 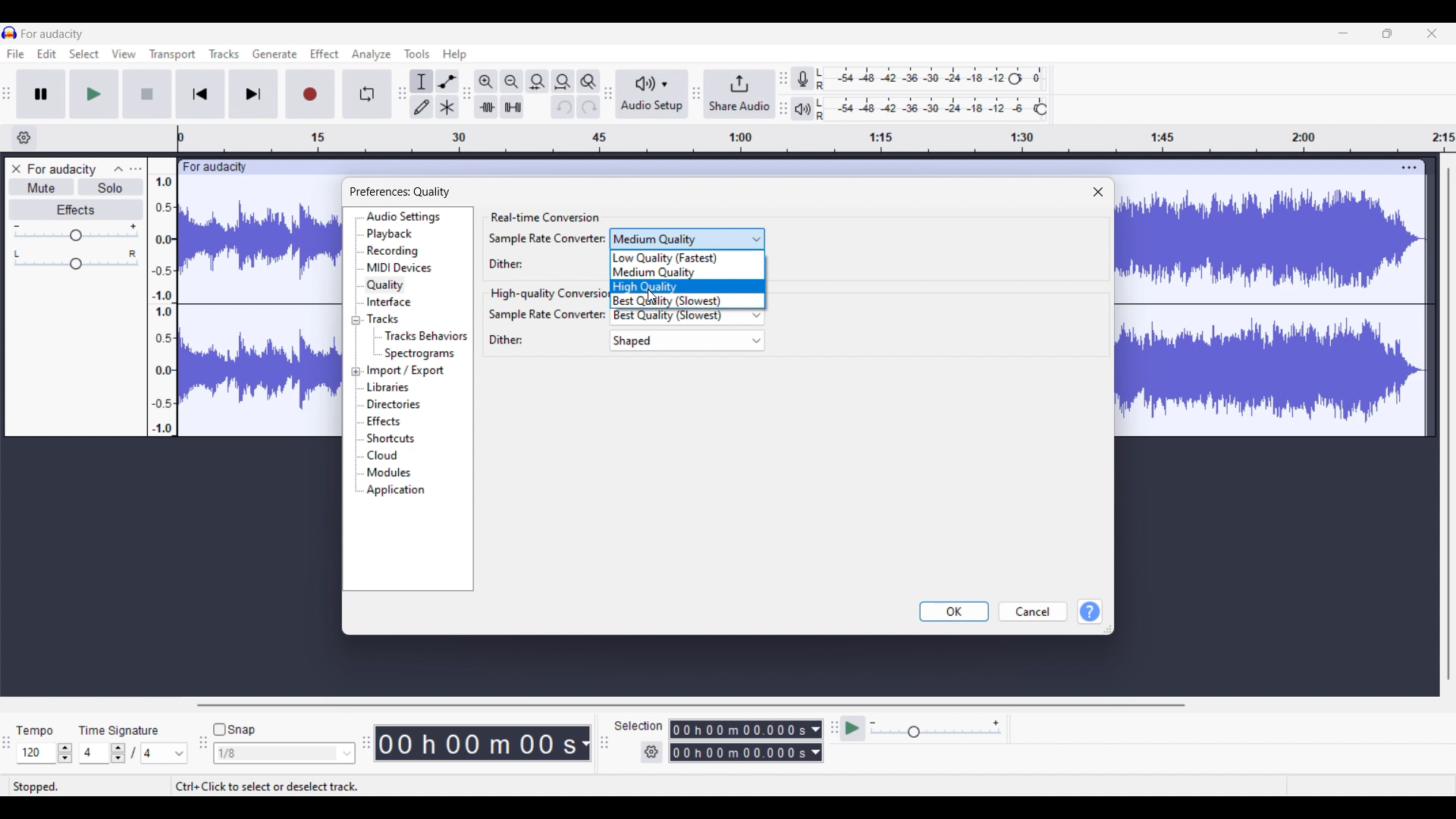 I want to click on Fit selection to width, so click(x=537, y=81).